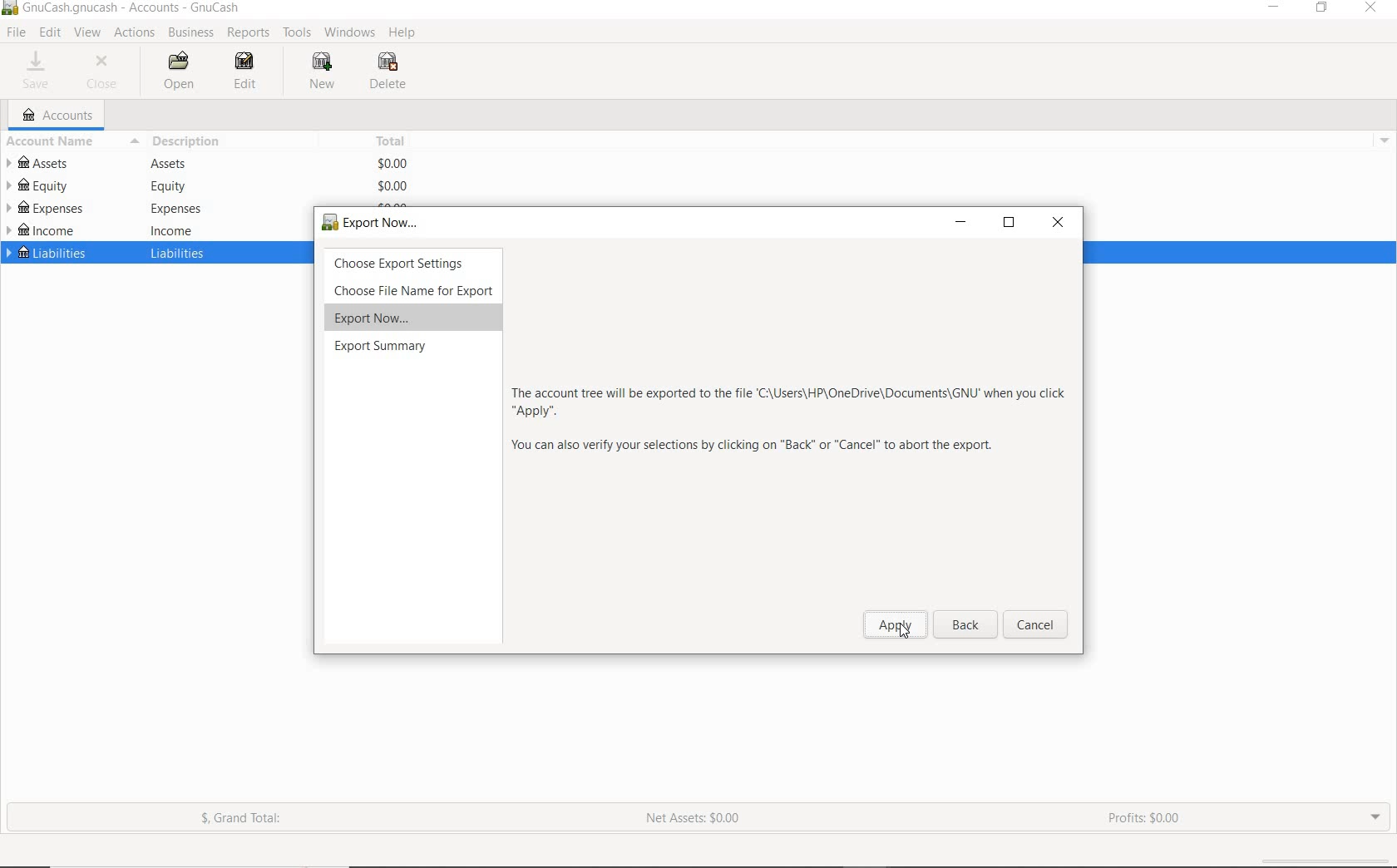 This screenshot has width=1397, height=868. Describe the element at coordinates (1145, 817) in the screenshot. I see `PROFITS` at that location.